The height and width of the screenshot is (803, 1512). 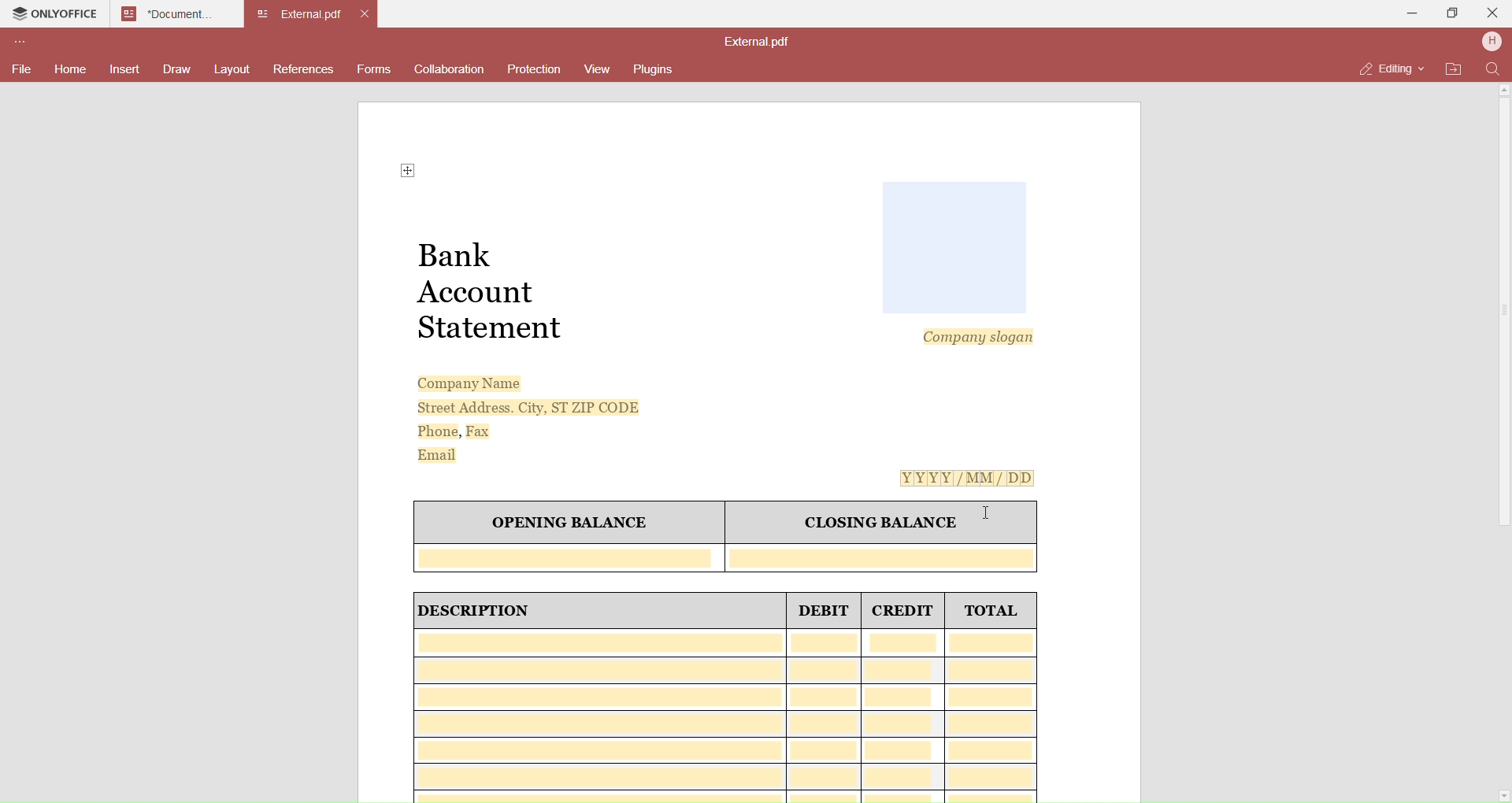 I want to click on document title, so click(x=759, y=43).